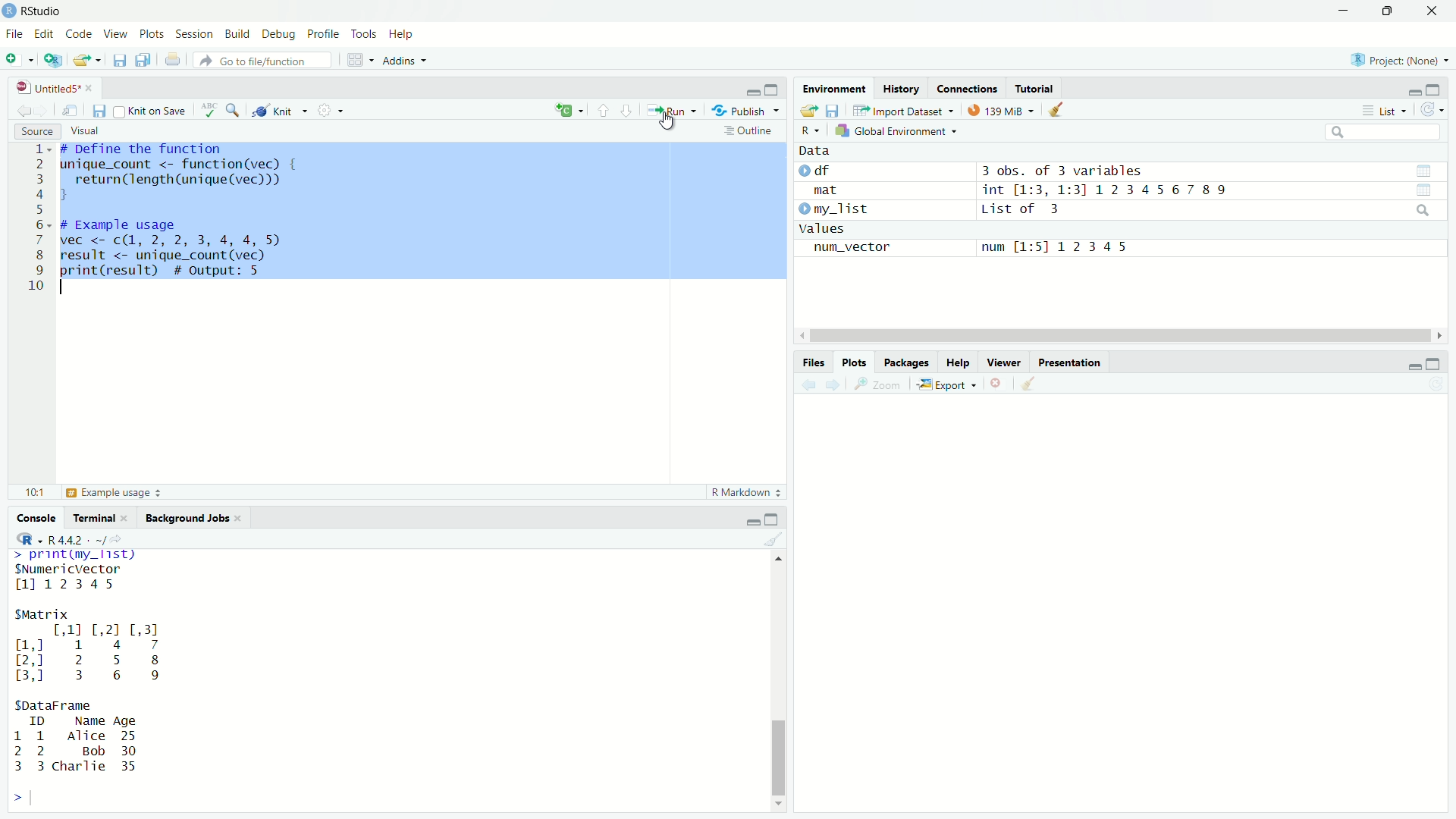 This screenshot has width=1456, height=819. I want to click on outline, so click(752, 131).